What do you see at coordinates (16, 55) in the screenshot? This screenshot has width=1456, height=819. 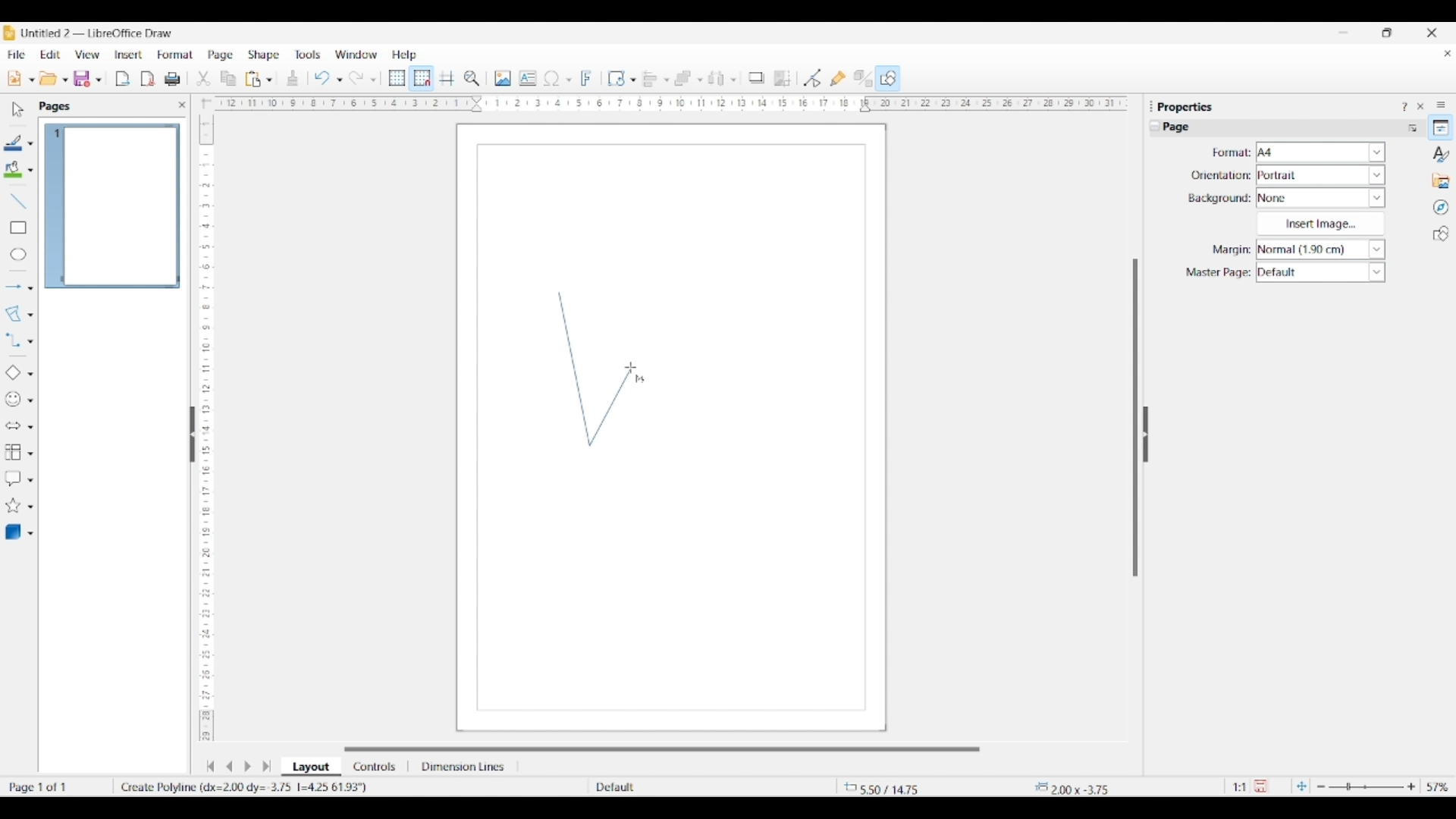 I see `File` at bounding box center [16, 55].